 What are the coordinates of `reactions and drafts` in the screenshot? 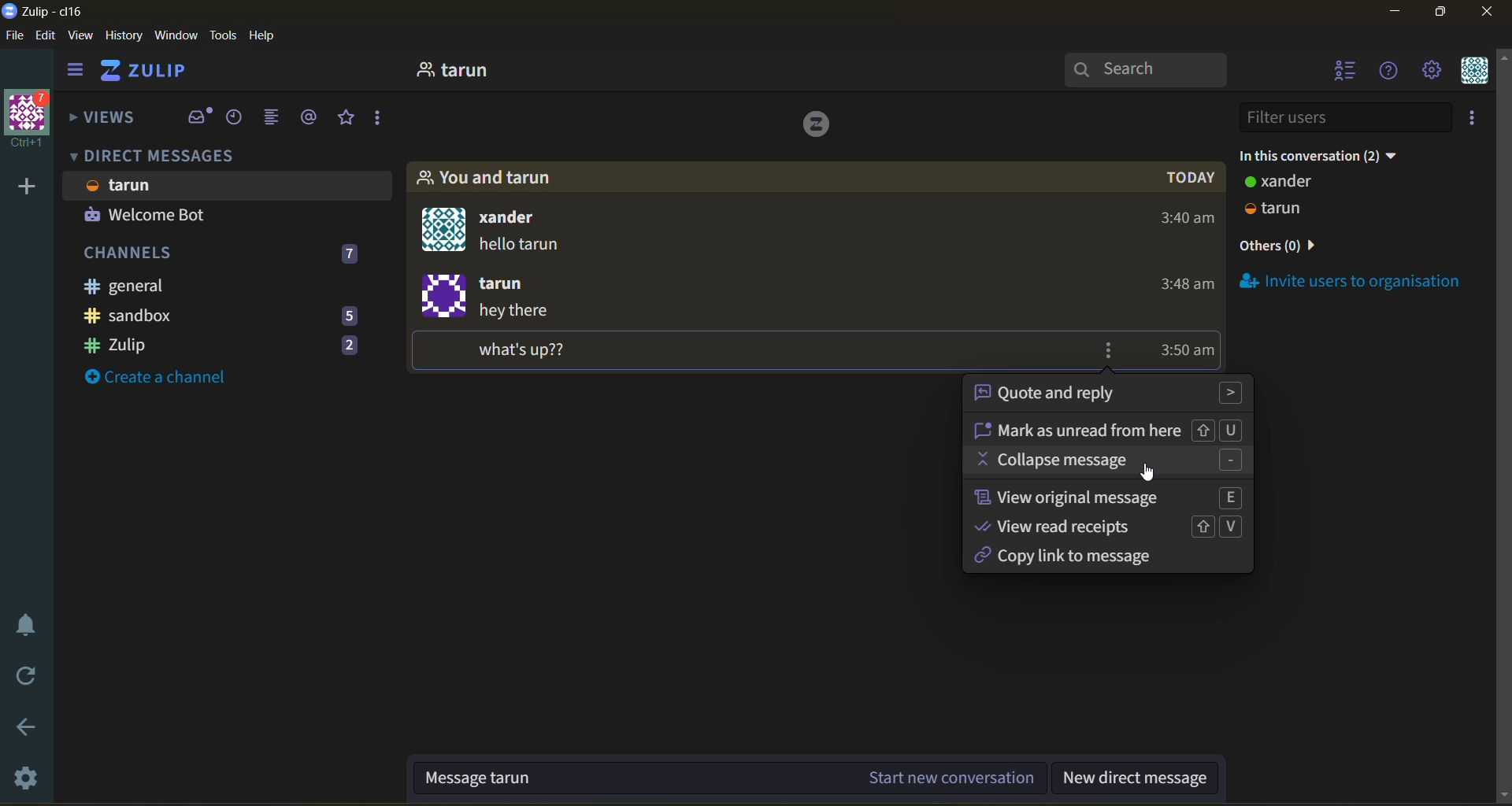 It's located at (383, 120).